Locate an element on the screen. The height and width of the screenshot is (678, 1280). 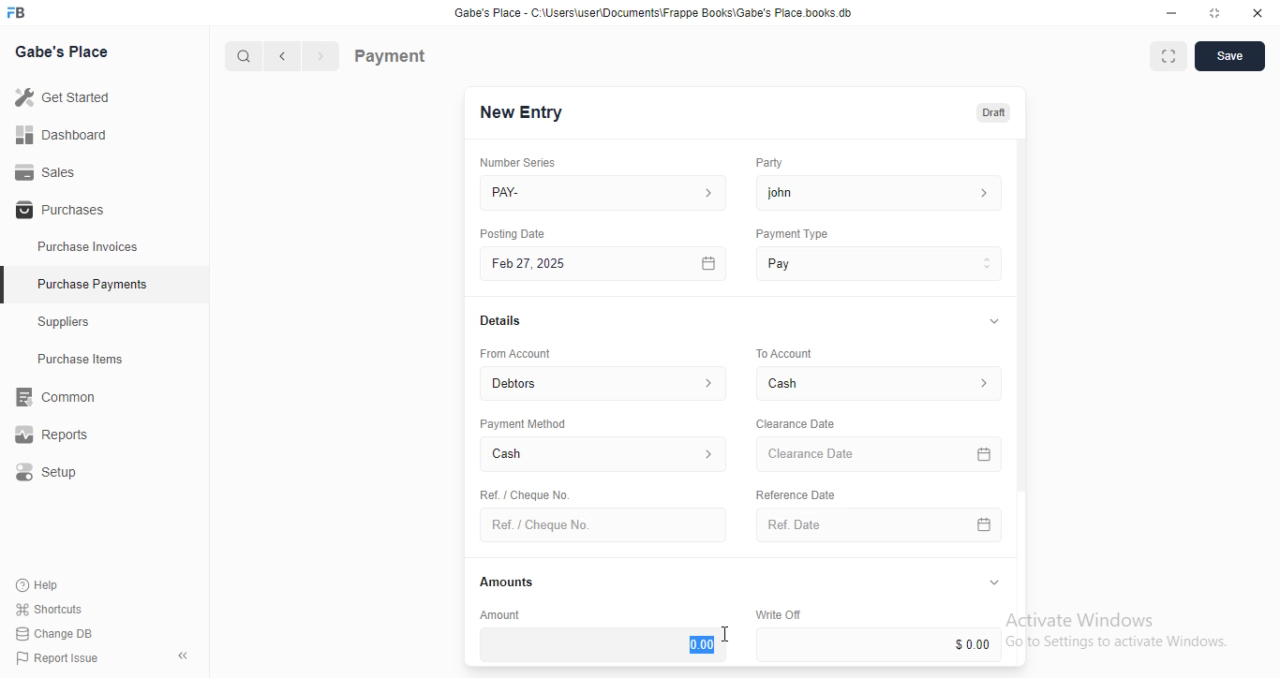
‘From Account is located at coordinates (514, 353).